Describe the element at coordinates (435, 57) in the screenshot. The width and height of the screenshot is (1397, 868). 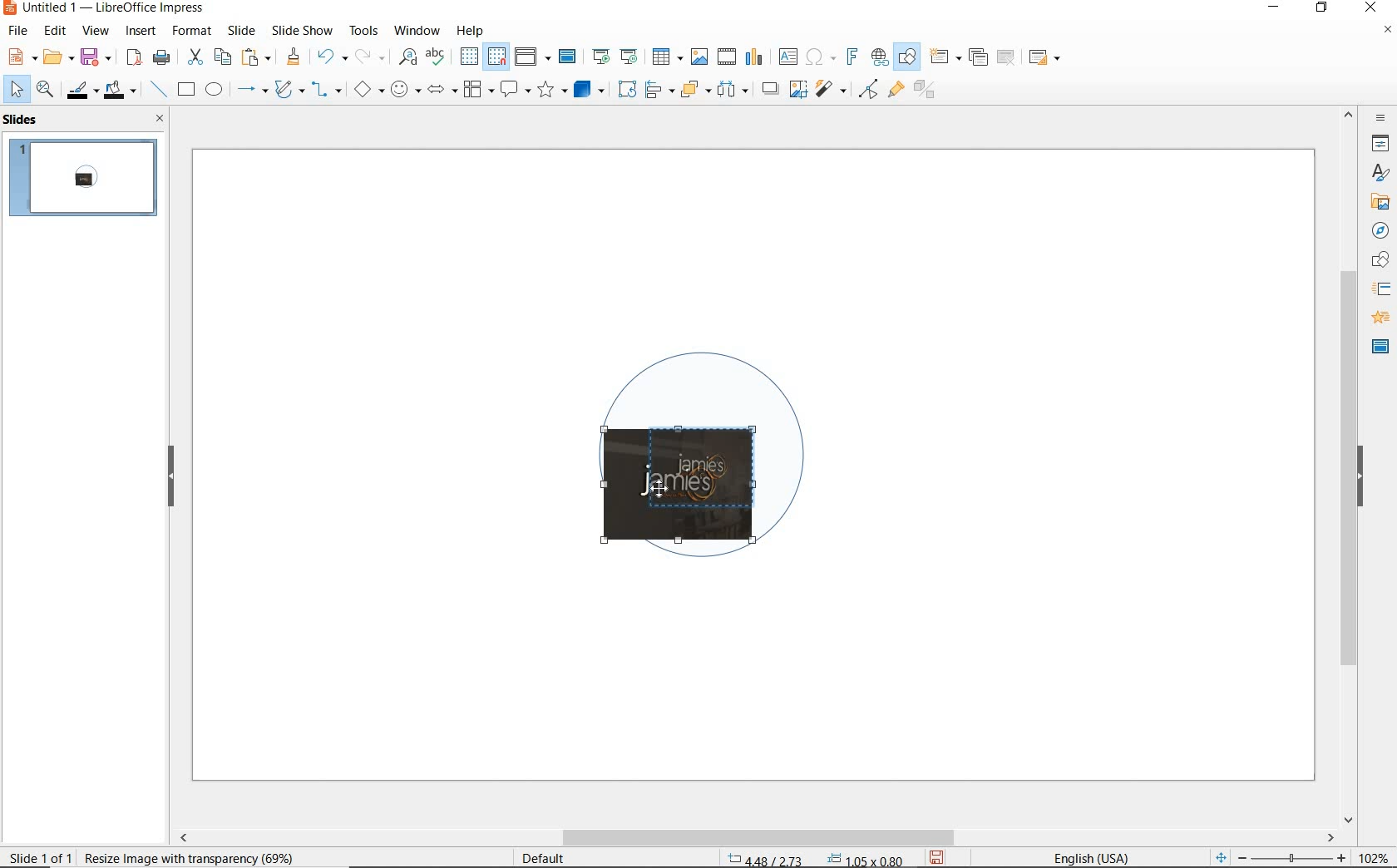
I see `spelling` at that location.